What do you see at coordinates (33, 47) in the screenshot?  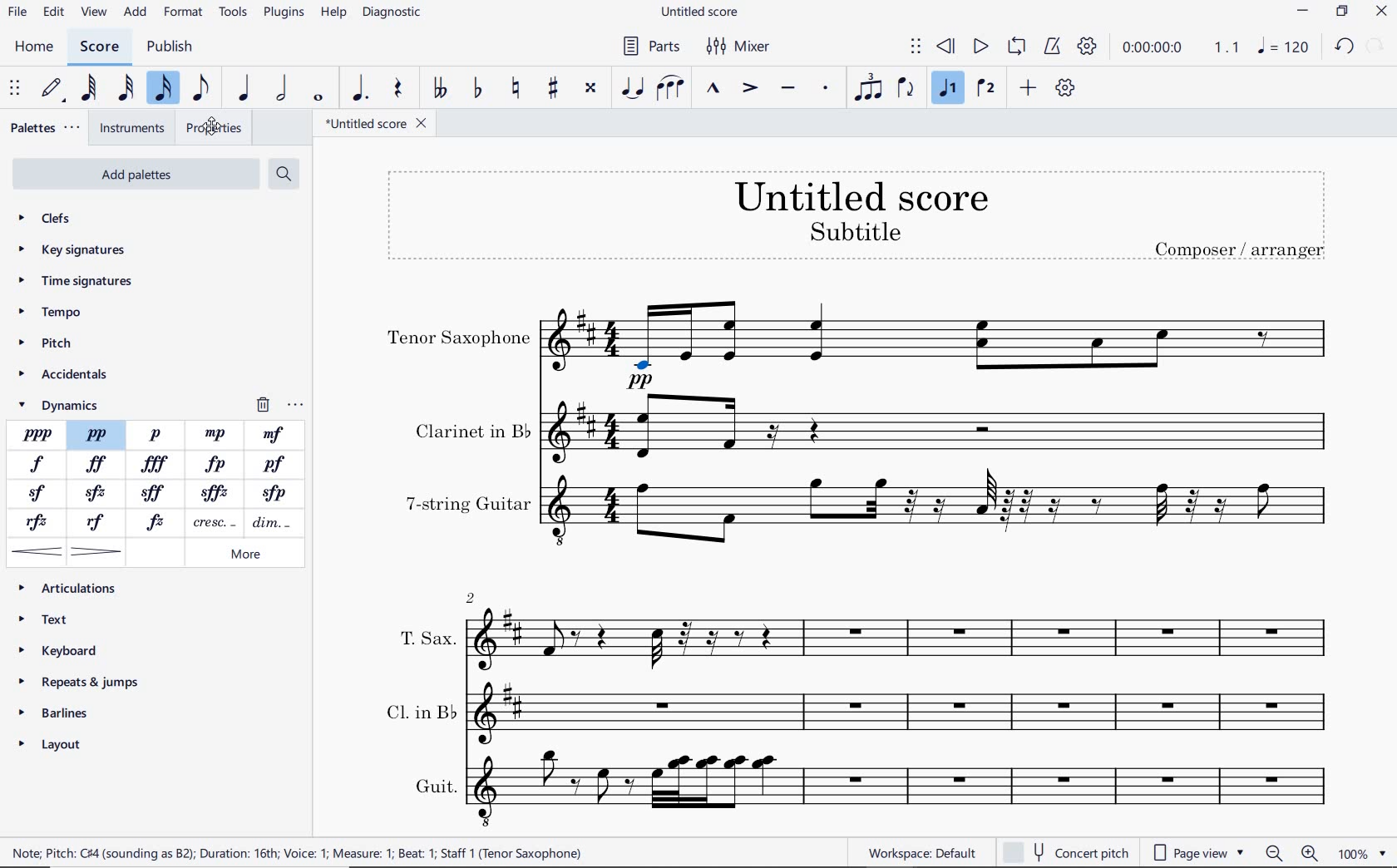 I see `home` at bounding box center [33, 47].